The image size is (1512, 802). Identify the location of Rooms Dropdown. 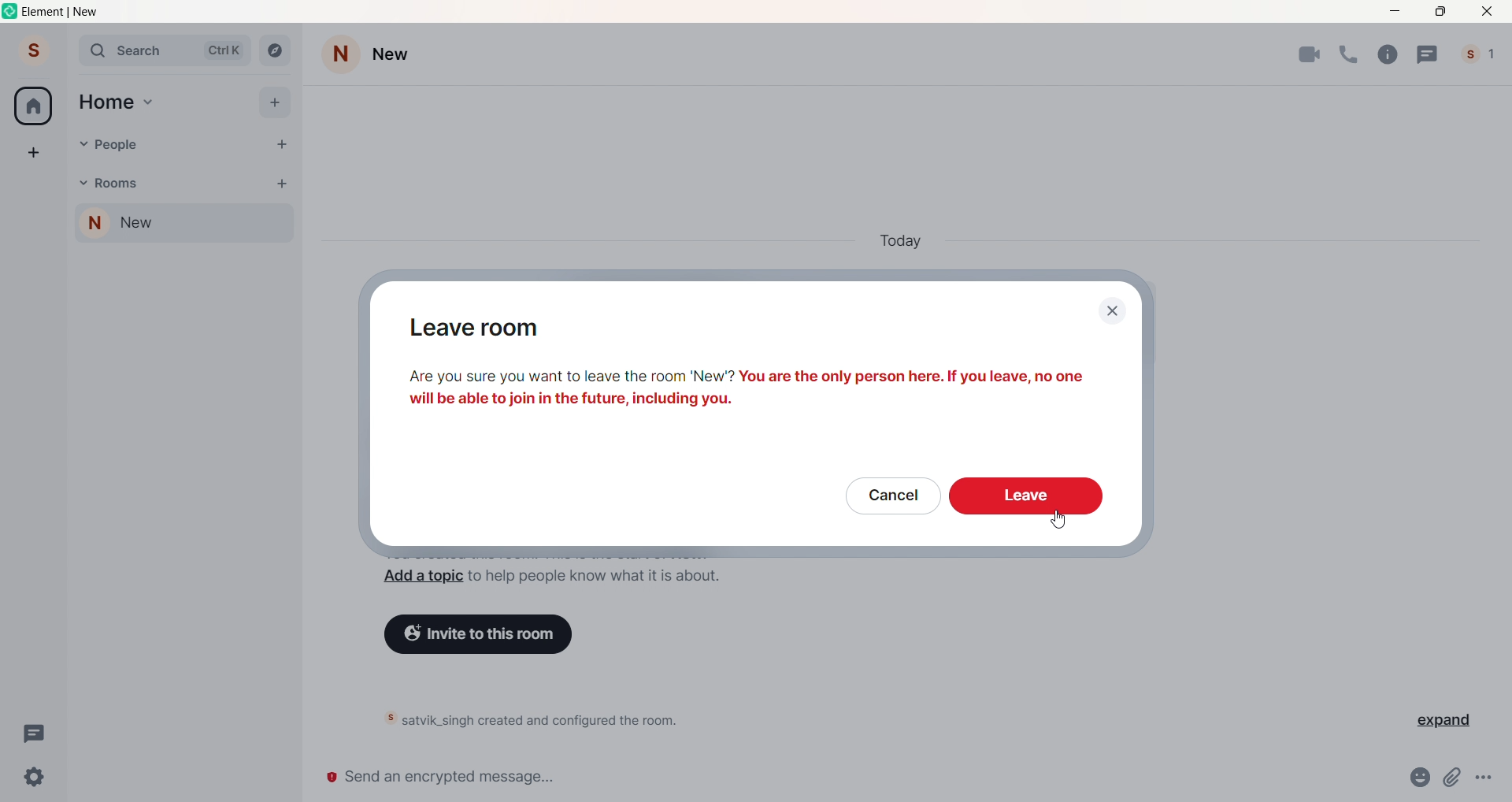
(82, 180).